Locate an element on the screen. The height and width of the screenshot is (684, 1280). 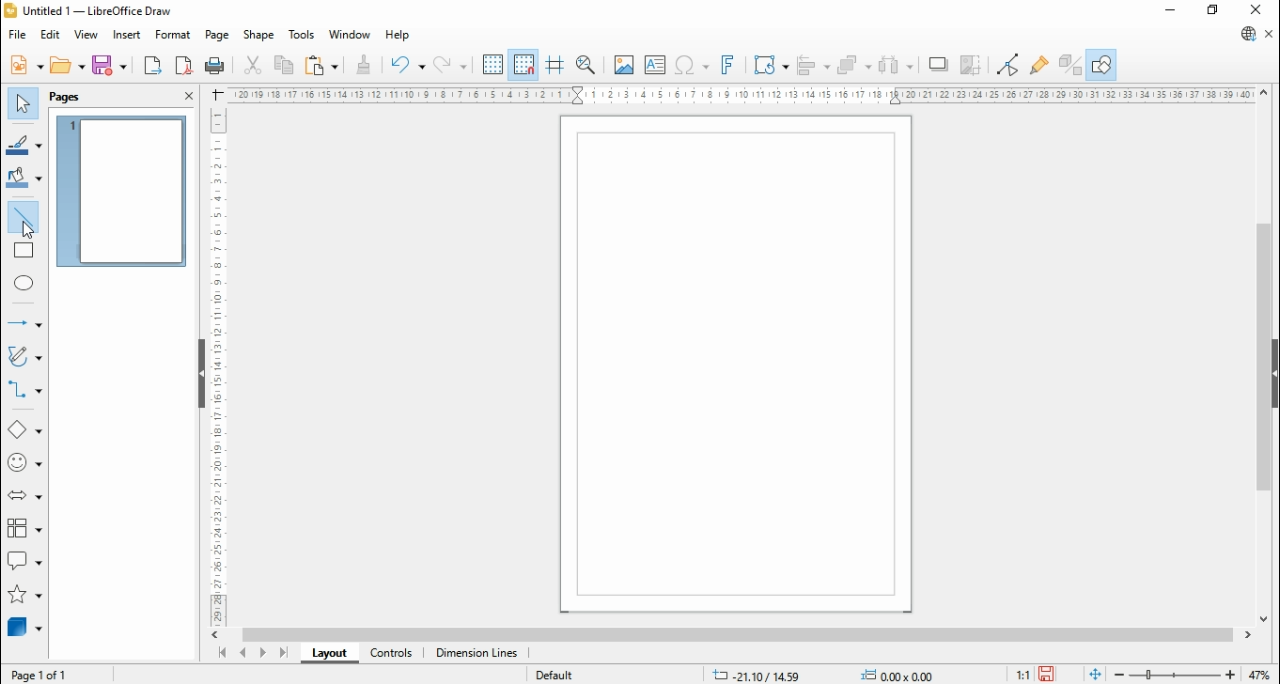
crop is located at coordinates (975, 64).